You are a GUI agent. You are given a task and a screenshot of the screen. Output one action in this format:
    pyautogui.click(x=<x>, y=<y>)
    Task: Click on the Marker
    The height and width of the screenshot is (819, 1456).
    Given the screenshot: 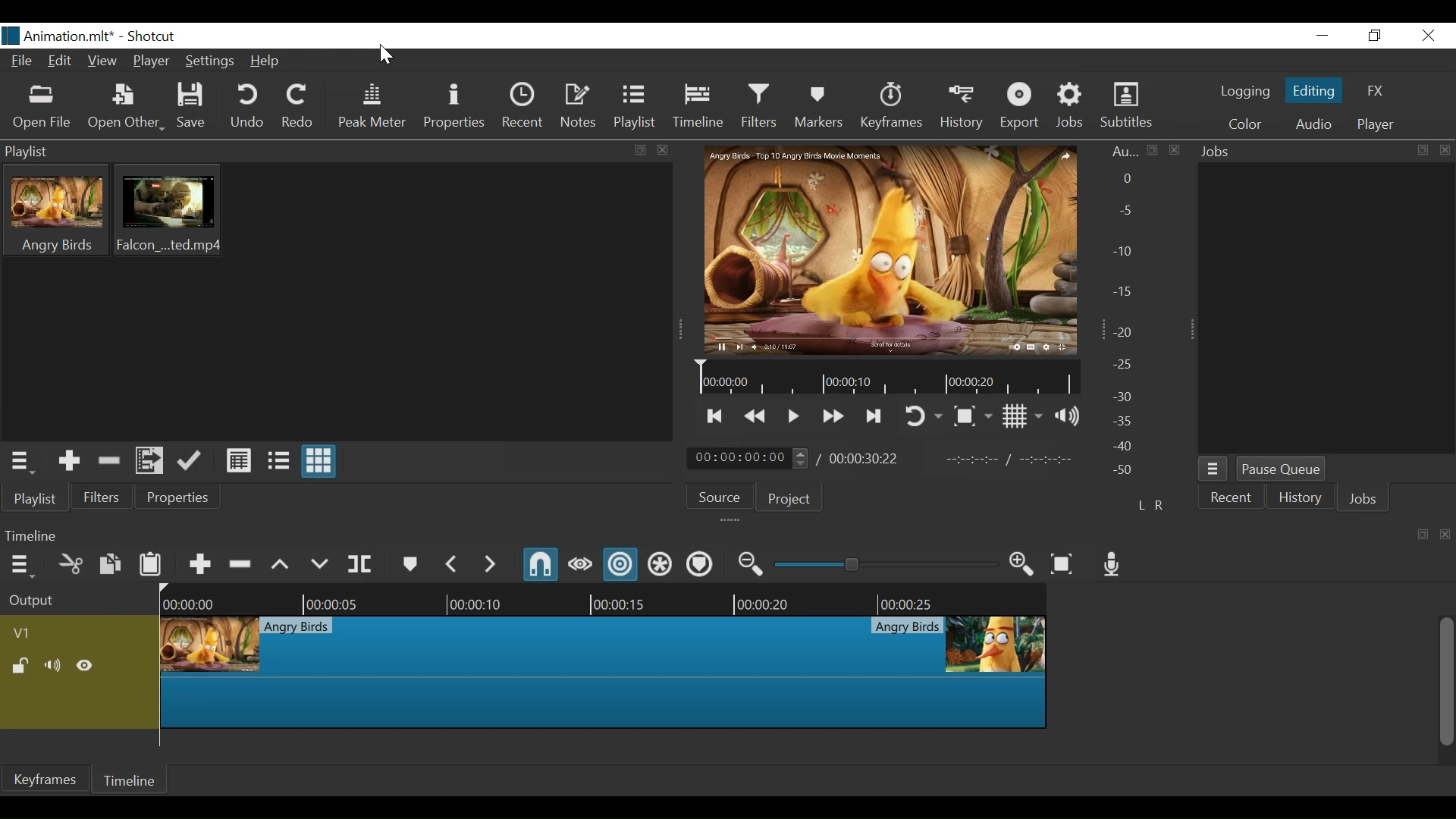 What is the action you would take?
    pyautogui.click(x=409, y=562)
    